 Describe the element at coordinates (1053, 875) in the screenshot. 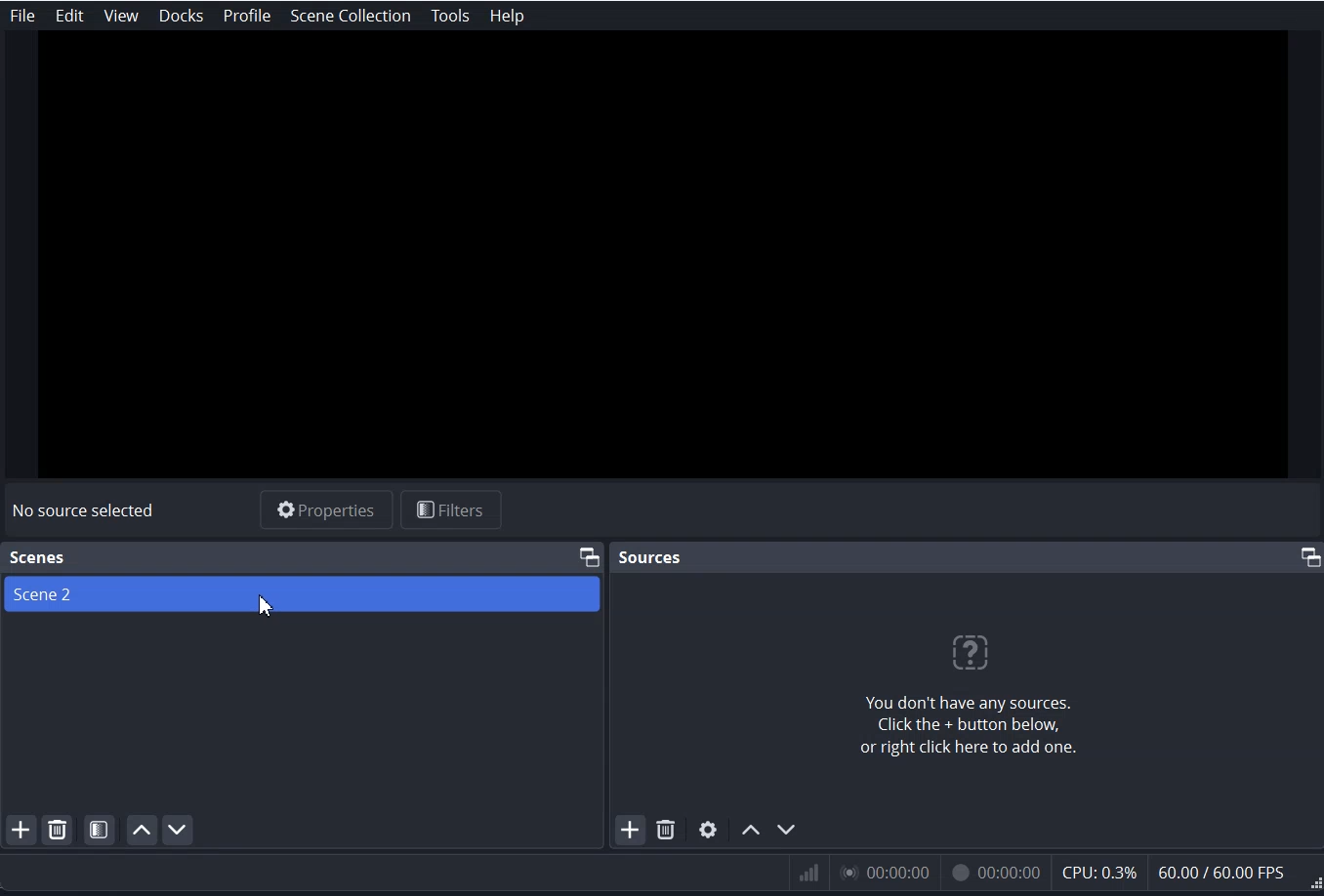

I see `Visual Parameter` at that location.